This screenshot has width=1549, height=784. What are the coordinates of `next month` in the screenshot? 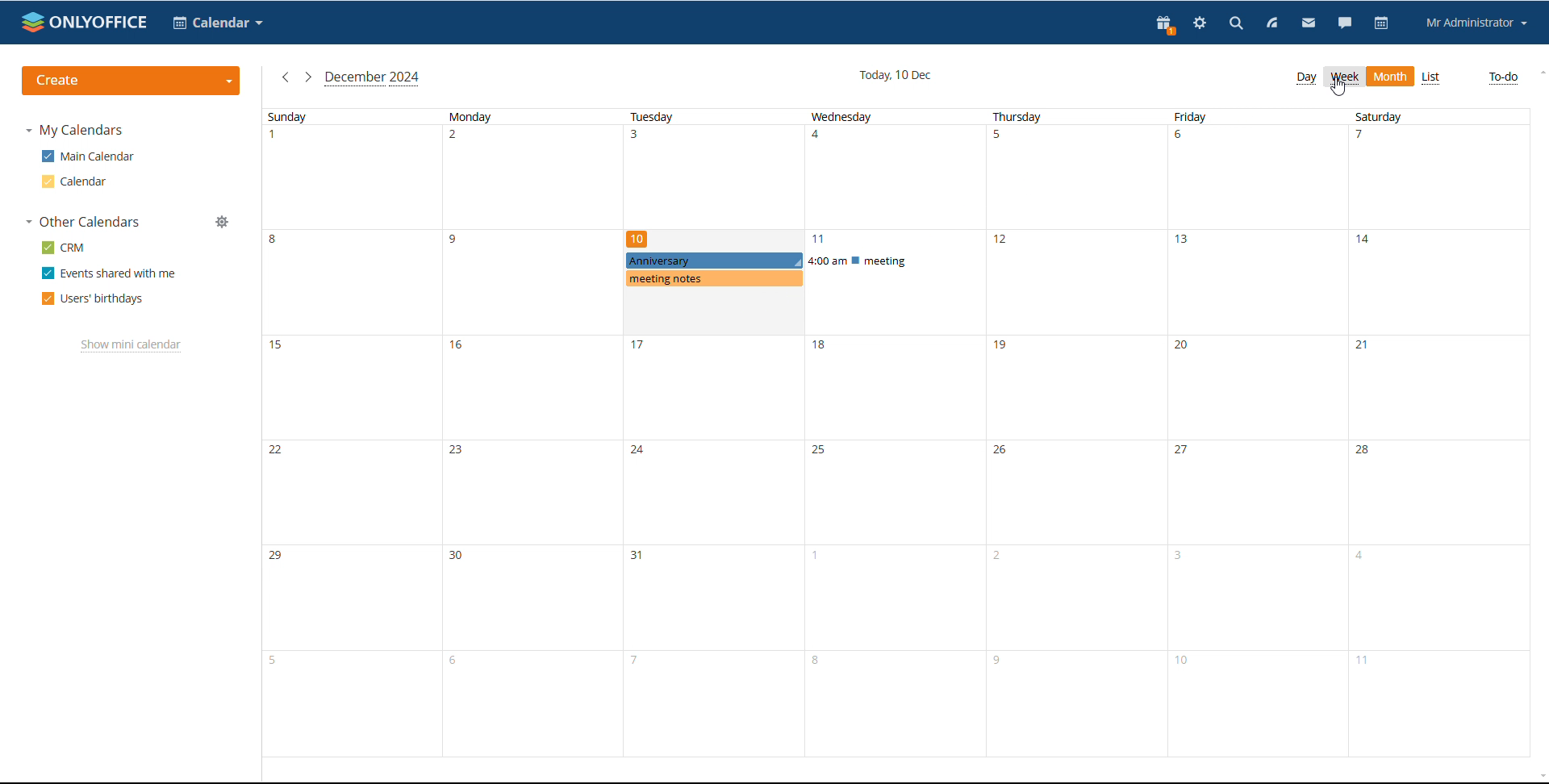 It's located at (308, 77).